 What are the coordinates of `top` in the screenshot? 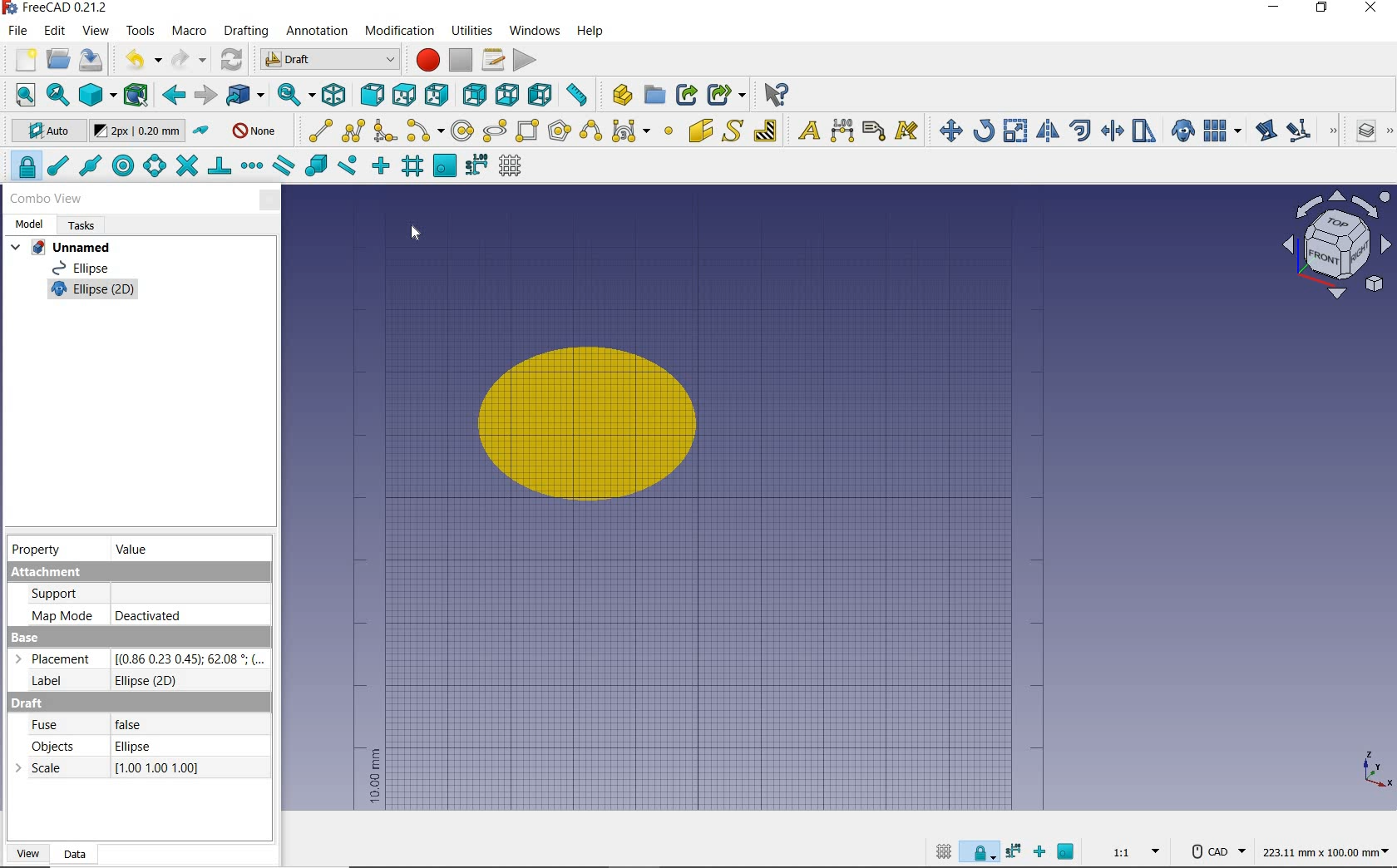 It's located at (405, 94).